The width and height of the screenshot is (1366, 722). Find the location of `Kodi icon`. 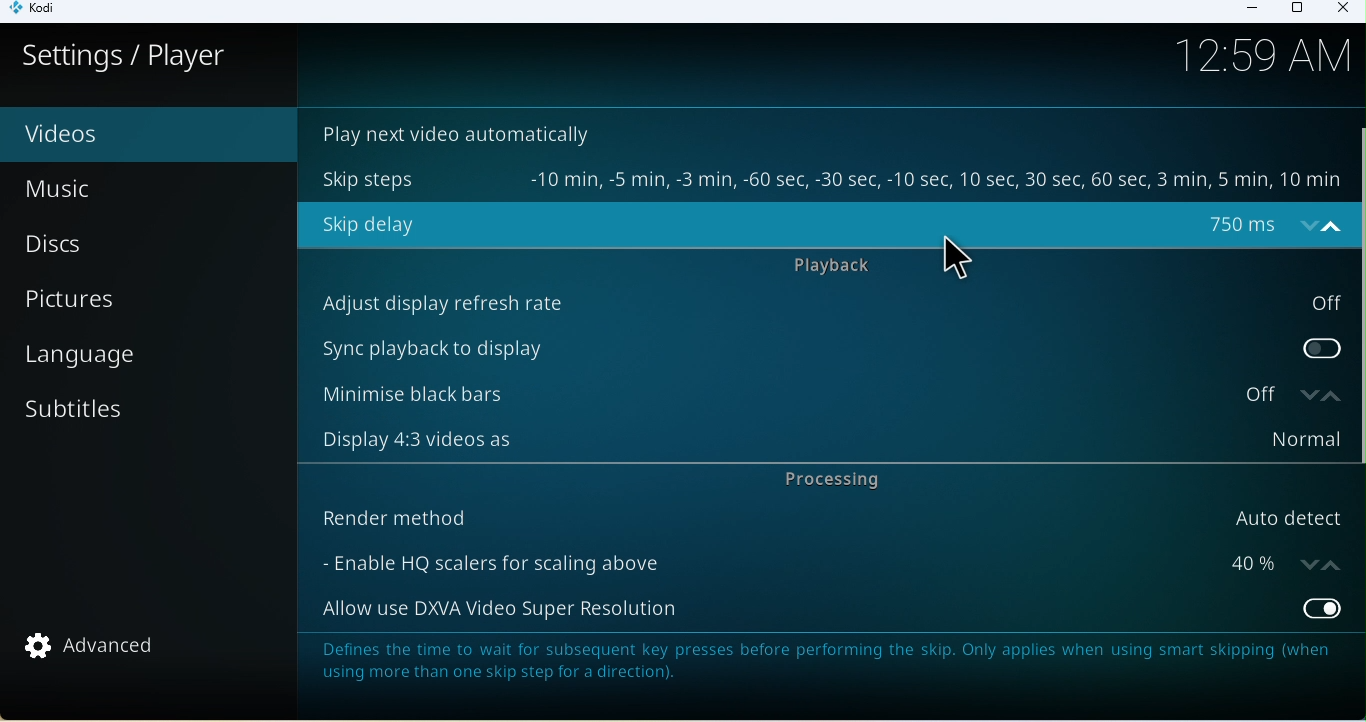

Kodi icon is located at coordinates (41, 12).